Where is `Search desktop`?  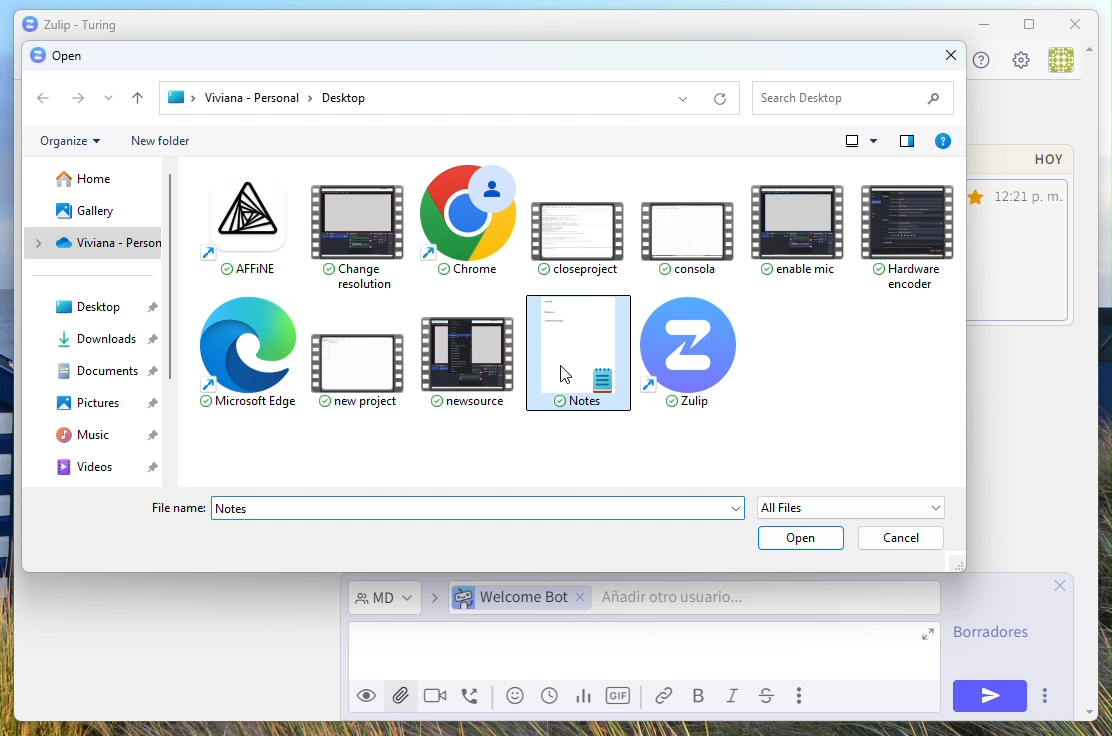 Search desktop is located at coordinates (852, 96).